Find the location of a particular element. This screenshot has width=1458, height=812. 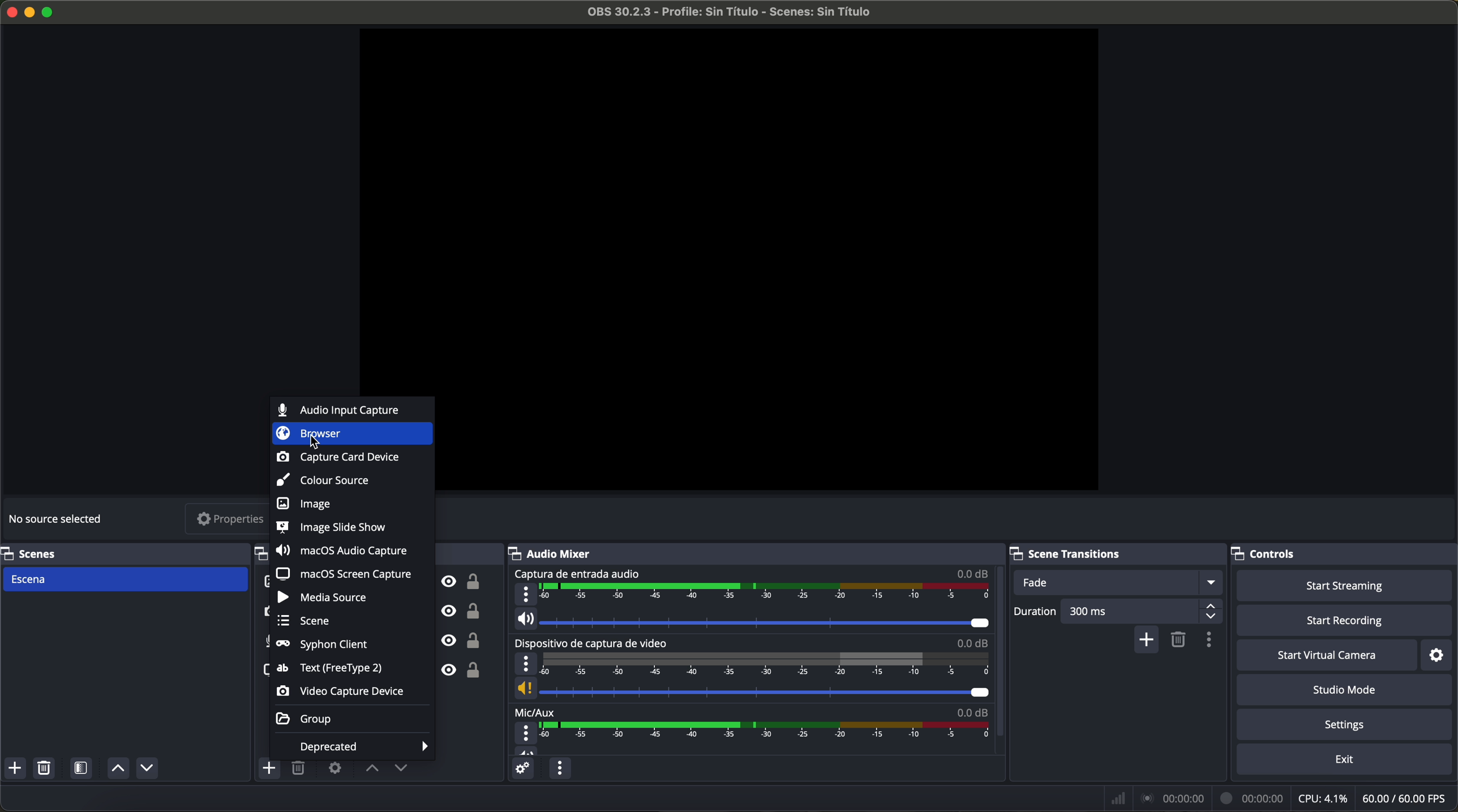

0.0 dB is located at coordinates (967, 714).